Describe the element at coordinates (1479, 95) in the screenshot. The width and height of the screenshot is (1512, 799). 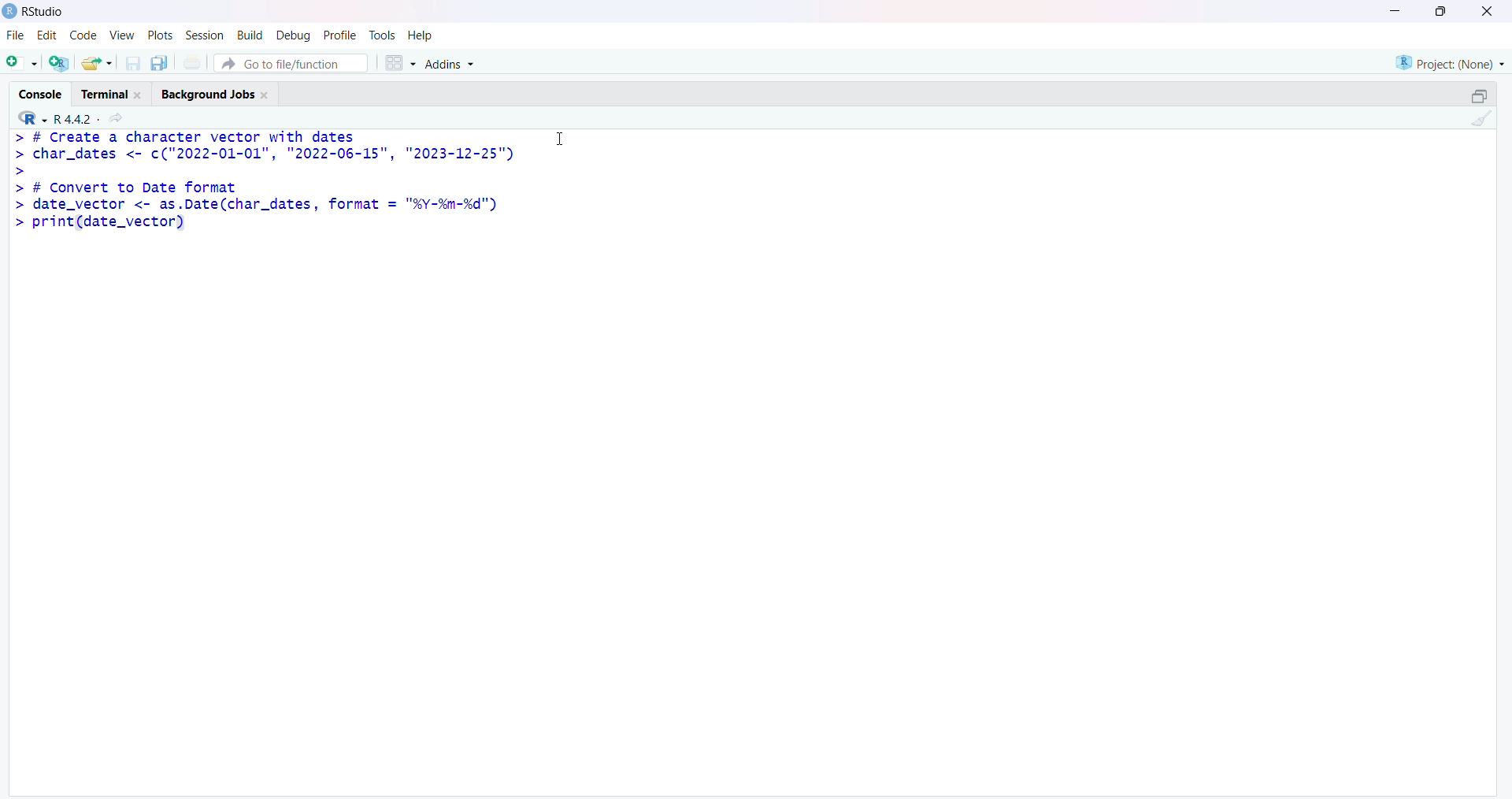
I see `Maximize/Restore` at that location.